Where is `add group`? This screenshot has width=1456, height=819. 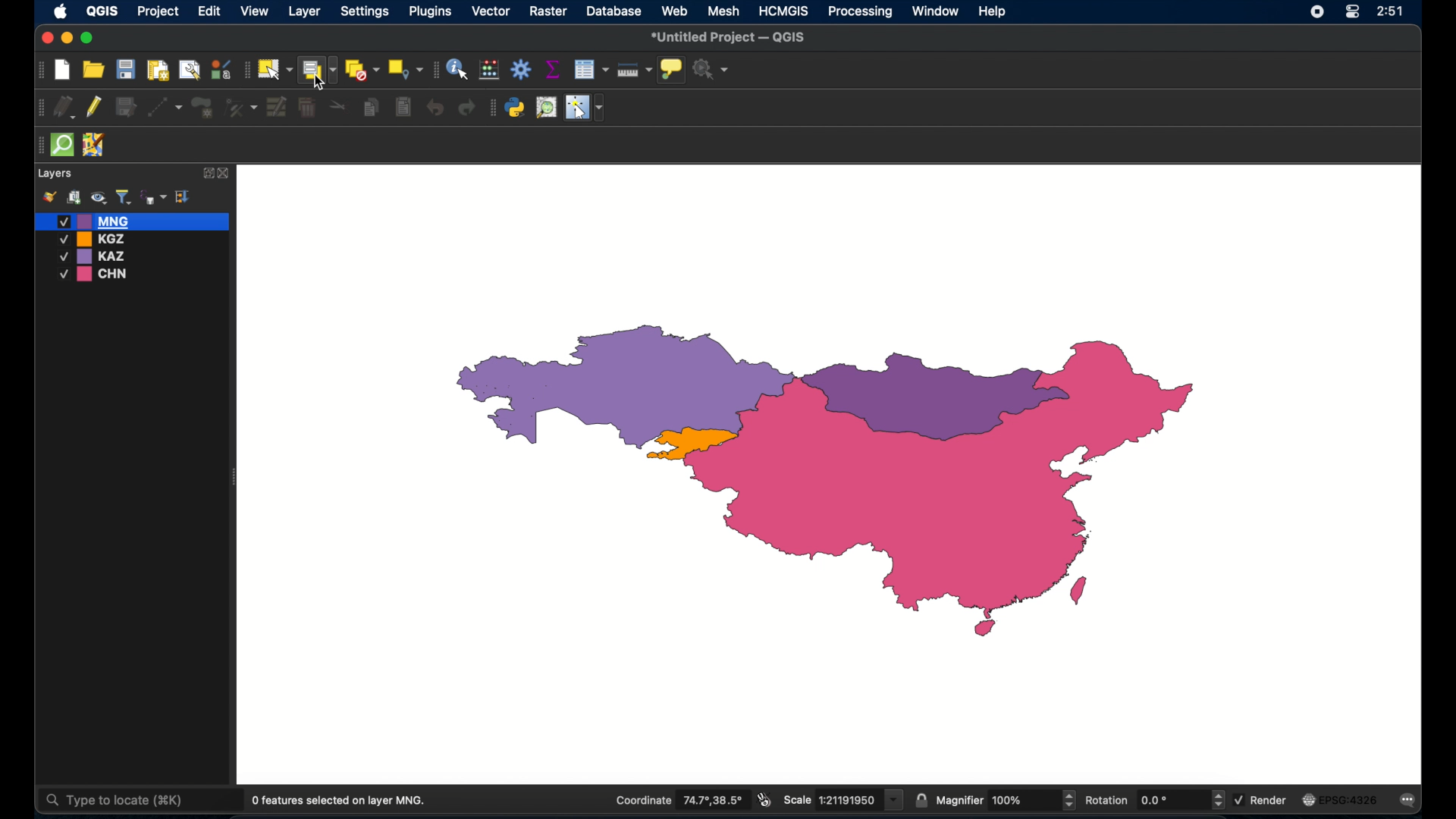 add group is located at coordinates (74, 198).